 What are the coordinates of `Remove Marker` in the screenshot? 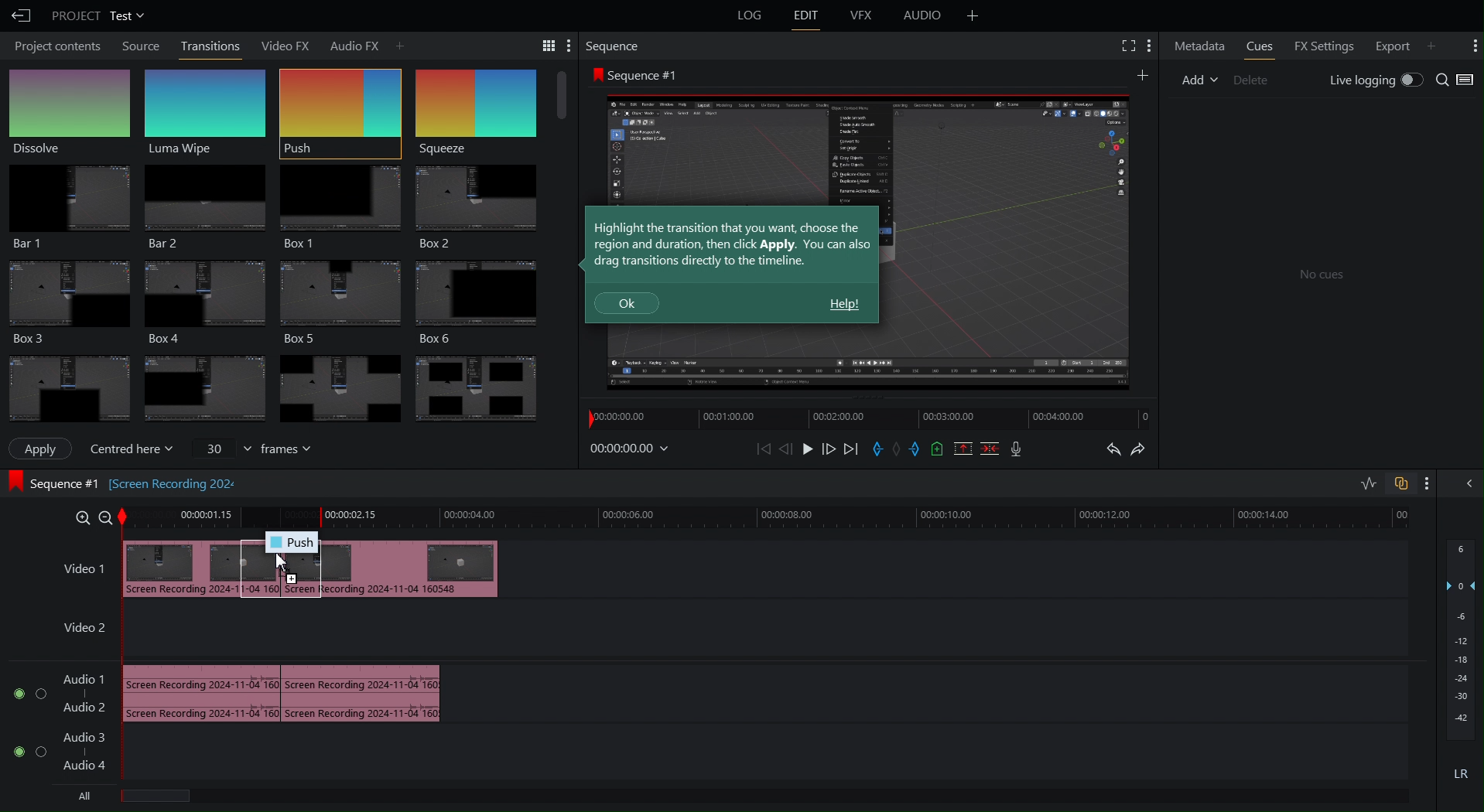 It's located at (899, 449).